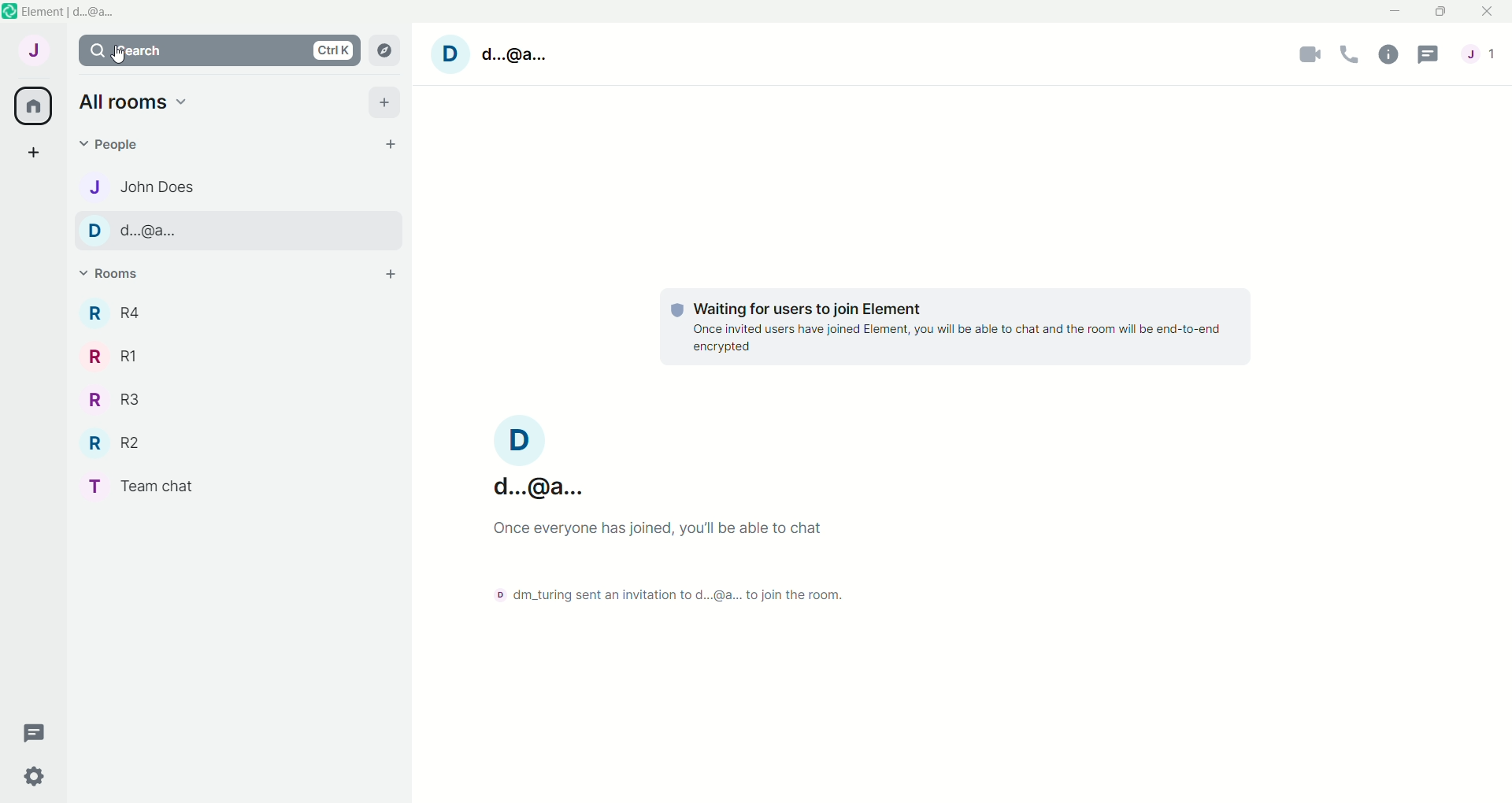 This screenshot has width=1512, height=803. Describe the element at coordinates (386, 276) in the screenshot. I see `add` at that location.